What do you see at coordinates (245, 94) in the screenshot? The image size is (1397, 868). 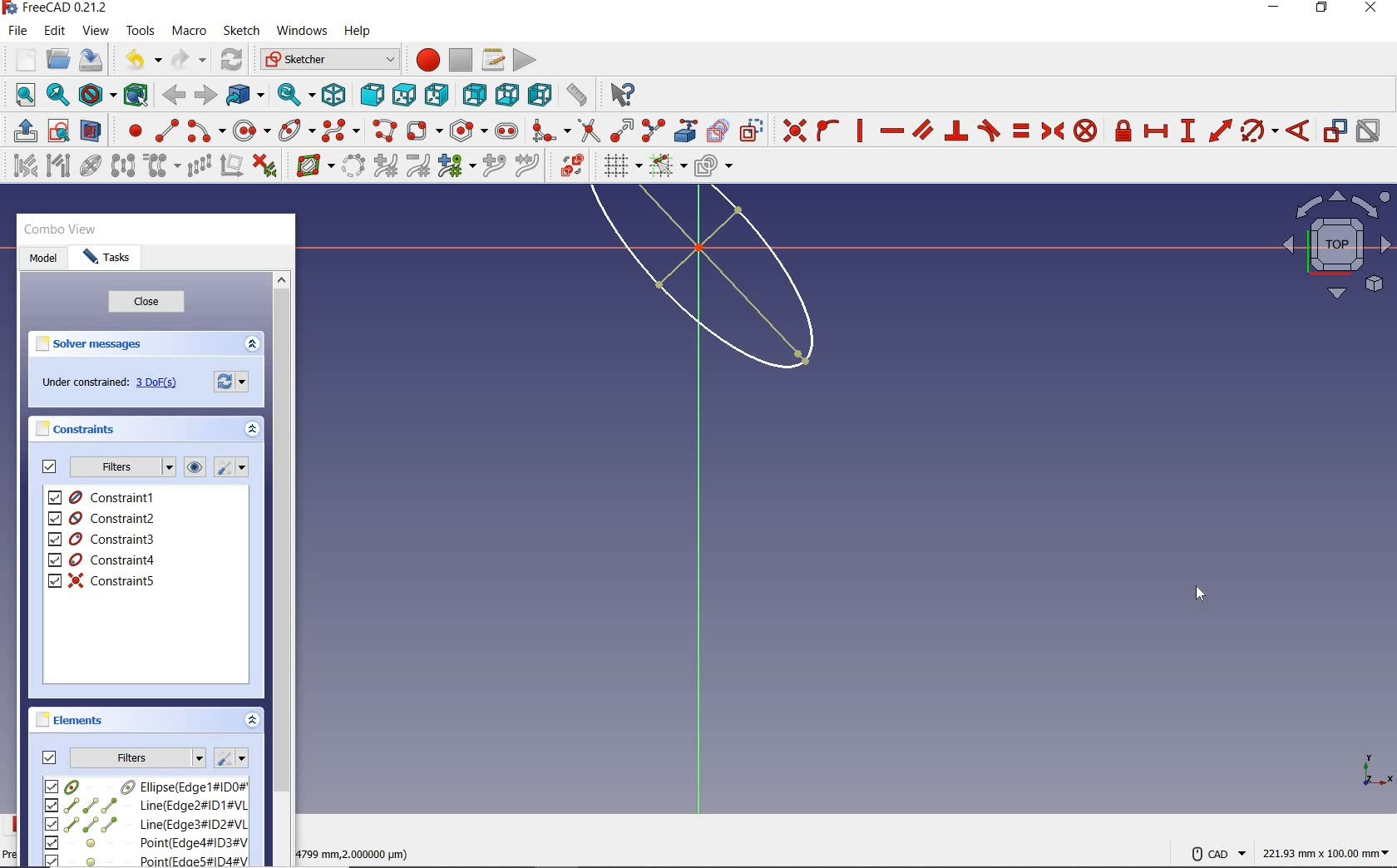 I see `go to linked object` at bounding box center [245, 94].